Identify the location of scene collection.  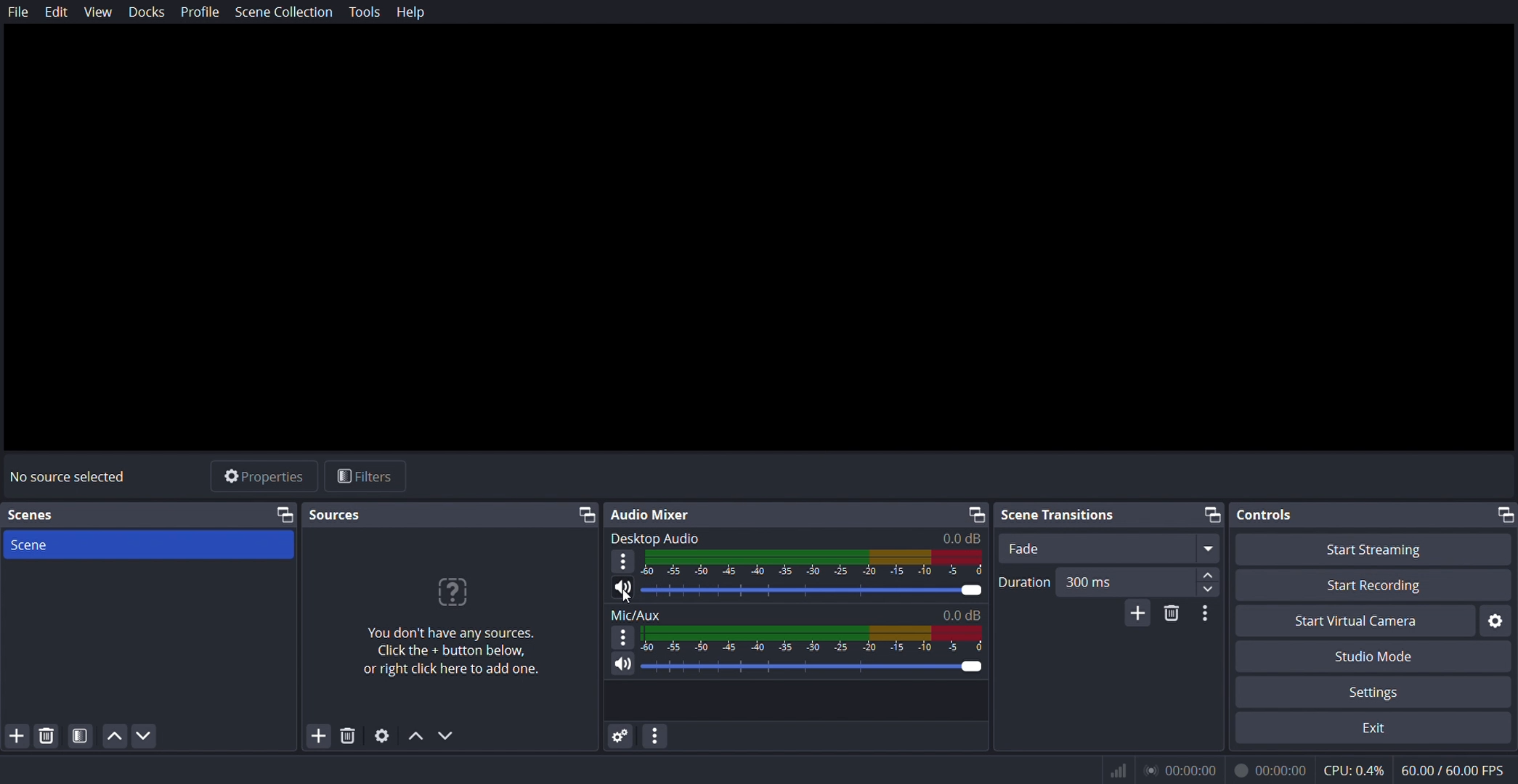
(286, 12).